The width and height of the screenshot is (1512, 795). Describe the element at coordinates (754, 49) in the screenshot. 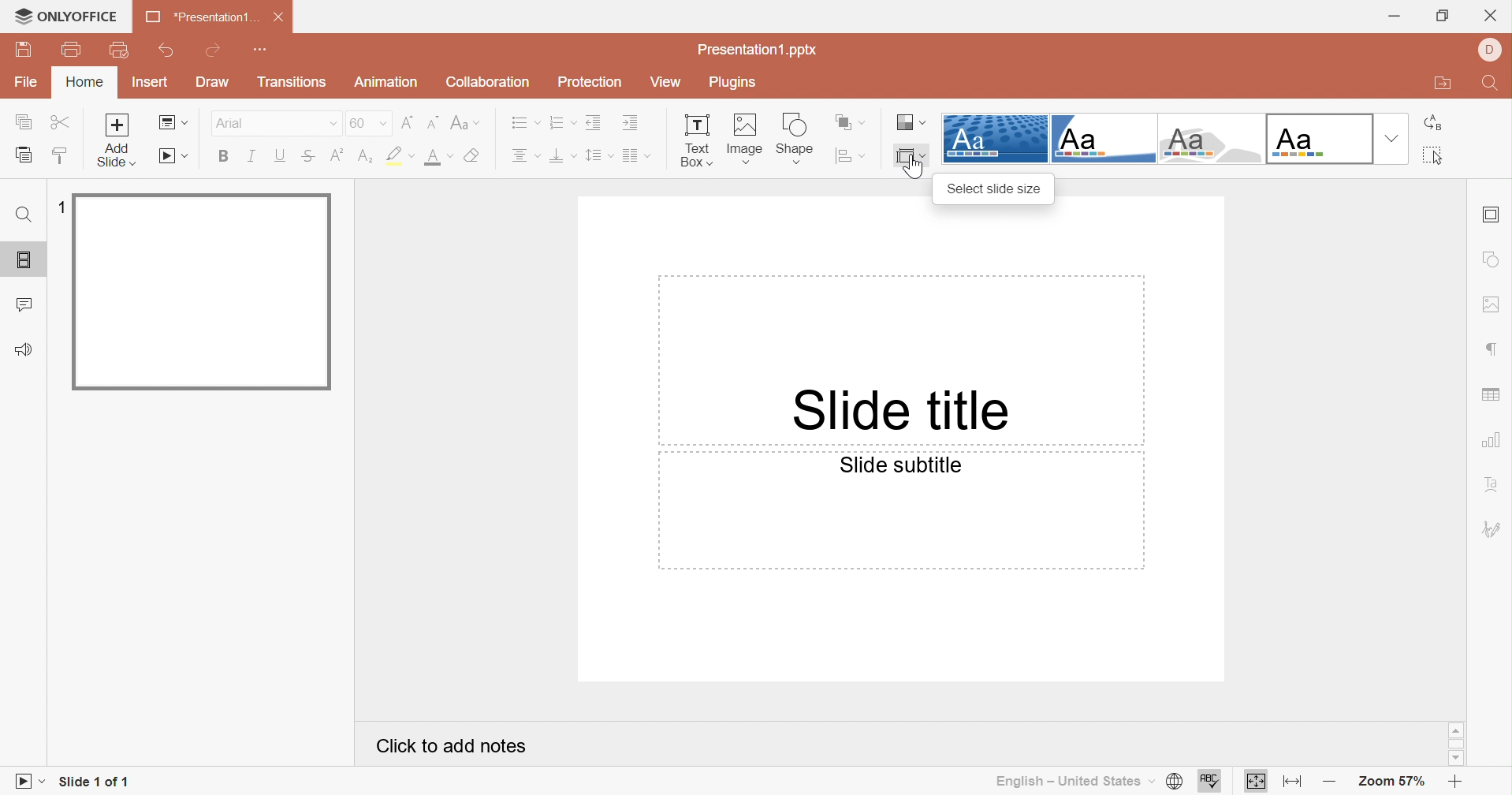

I see `Presentation1.pptx` at that location.